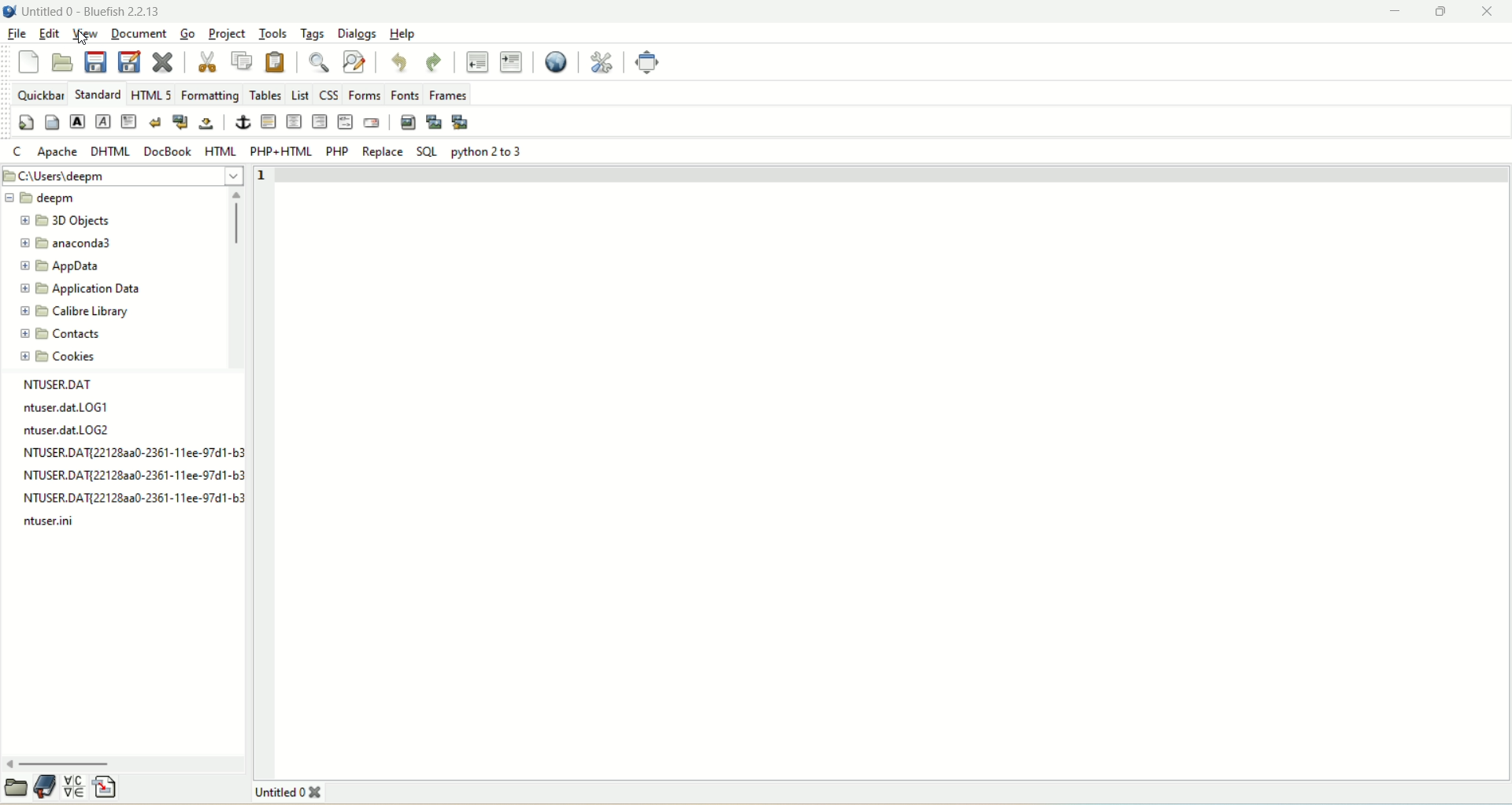  I want to click on horizontal scroll bar, so click(124, 763).